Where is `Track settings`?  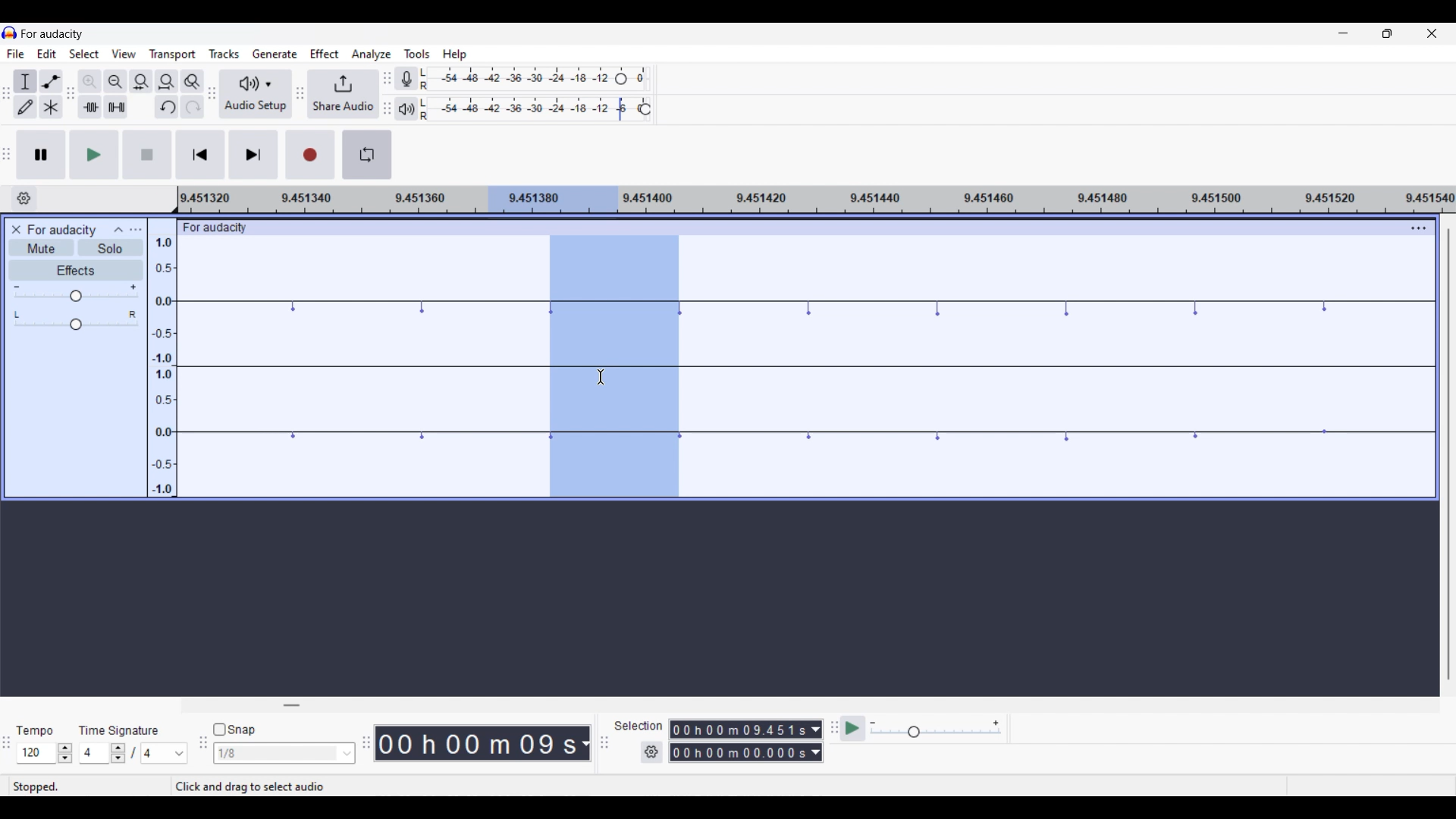 Track settings is located at coordinates (1419, 228).